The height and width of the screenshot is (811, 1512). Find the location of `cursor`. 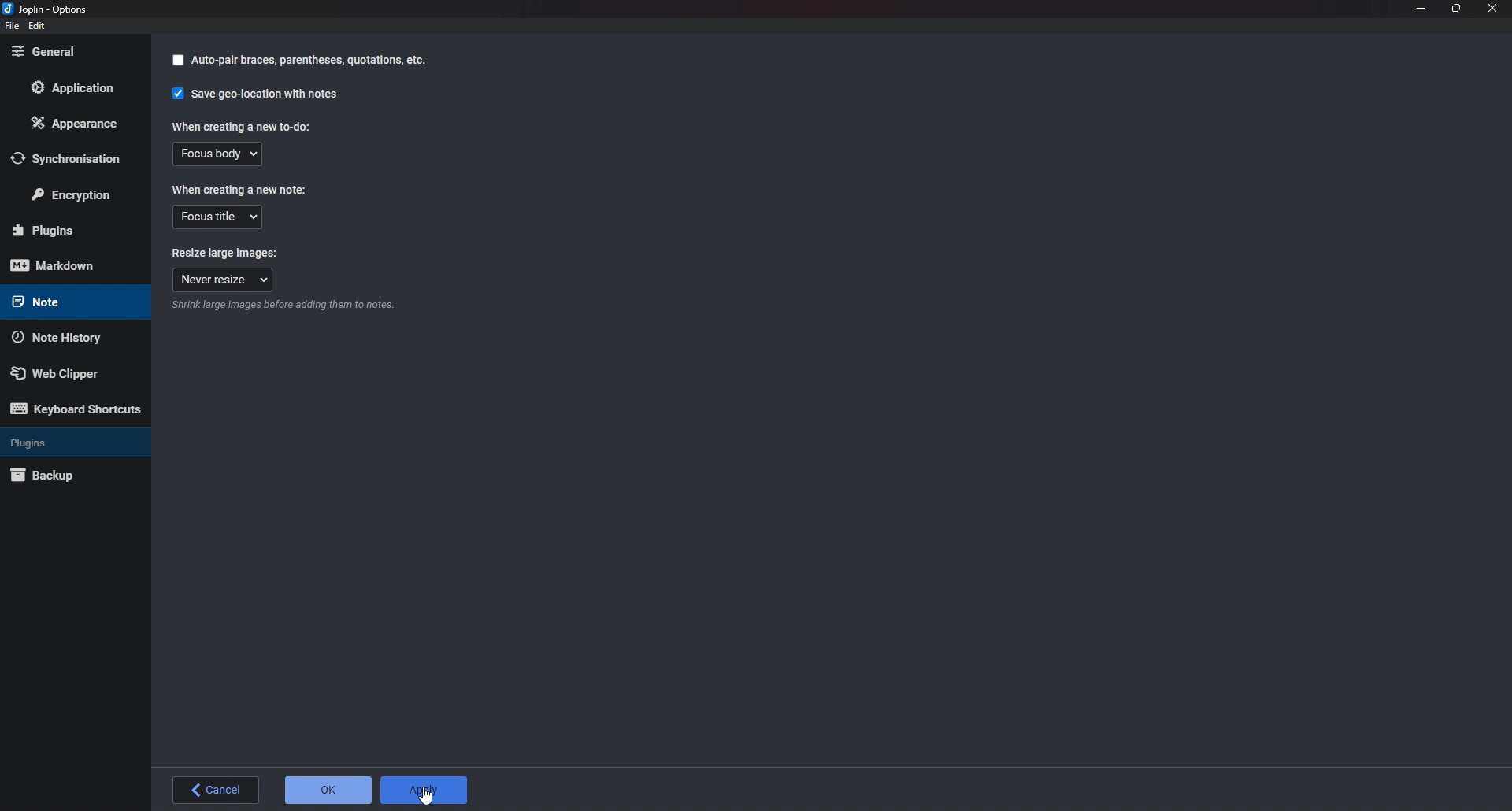

cursor is located at coordinates (428, 797).